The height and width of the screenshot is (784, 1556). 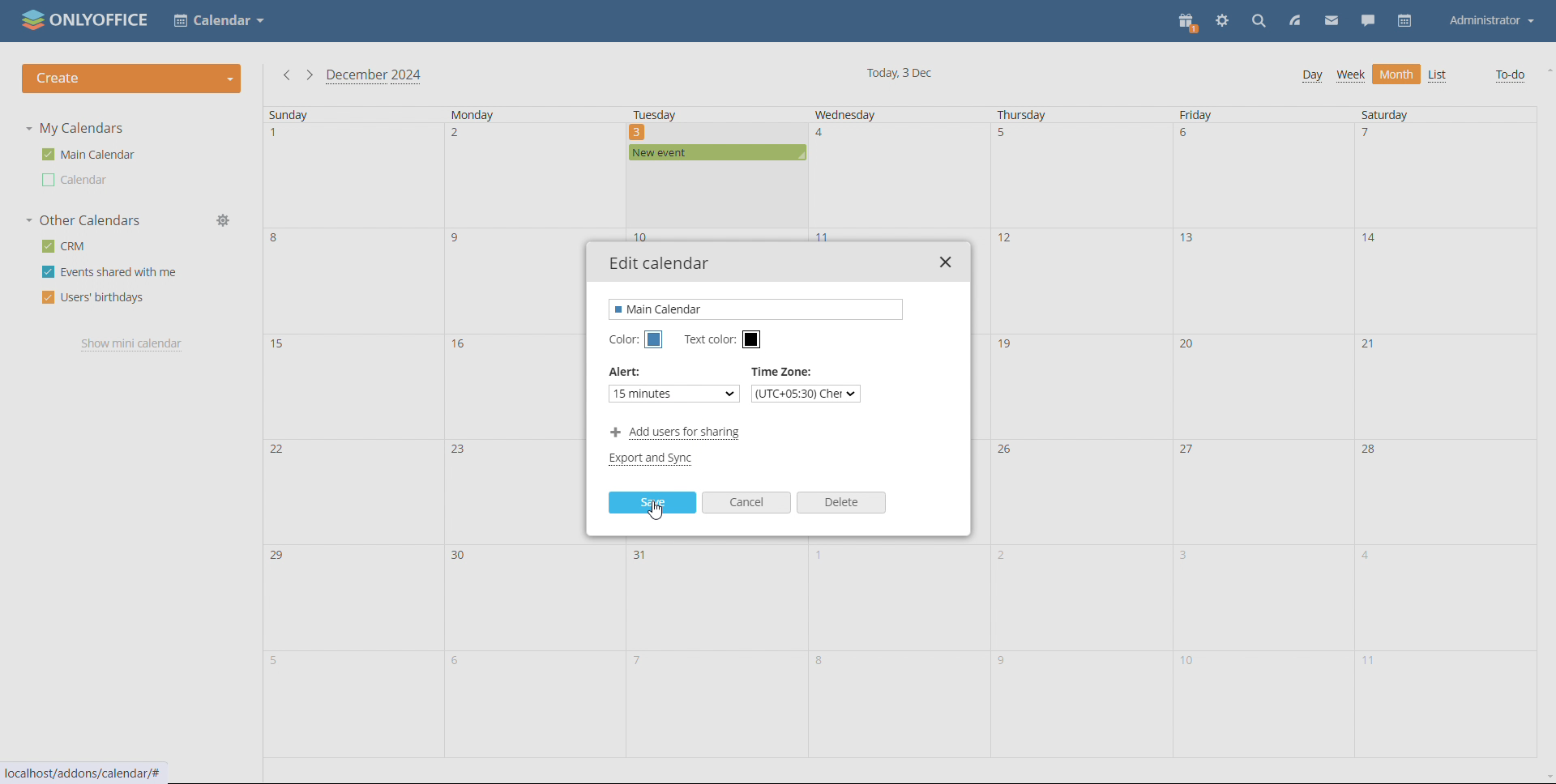 I want to click on date, so click(x=896, y=703).